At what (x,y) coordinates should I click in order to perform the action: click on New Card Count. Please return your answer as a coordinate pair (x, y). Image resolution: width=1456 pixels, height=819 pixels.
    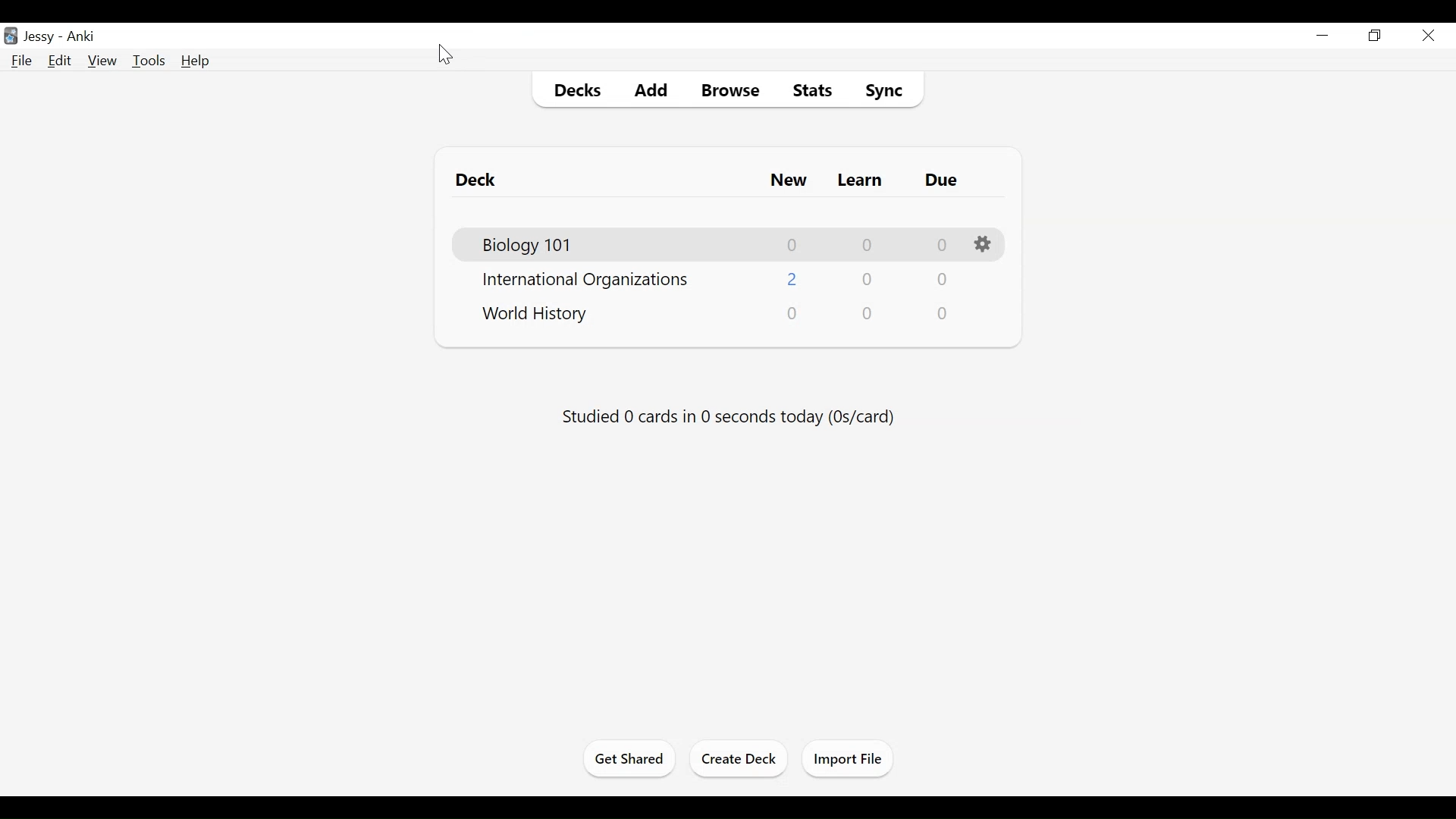
    Looking at the image, I should click on (791, 246).